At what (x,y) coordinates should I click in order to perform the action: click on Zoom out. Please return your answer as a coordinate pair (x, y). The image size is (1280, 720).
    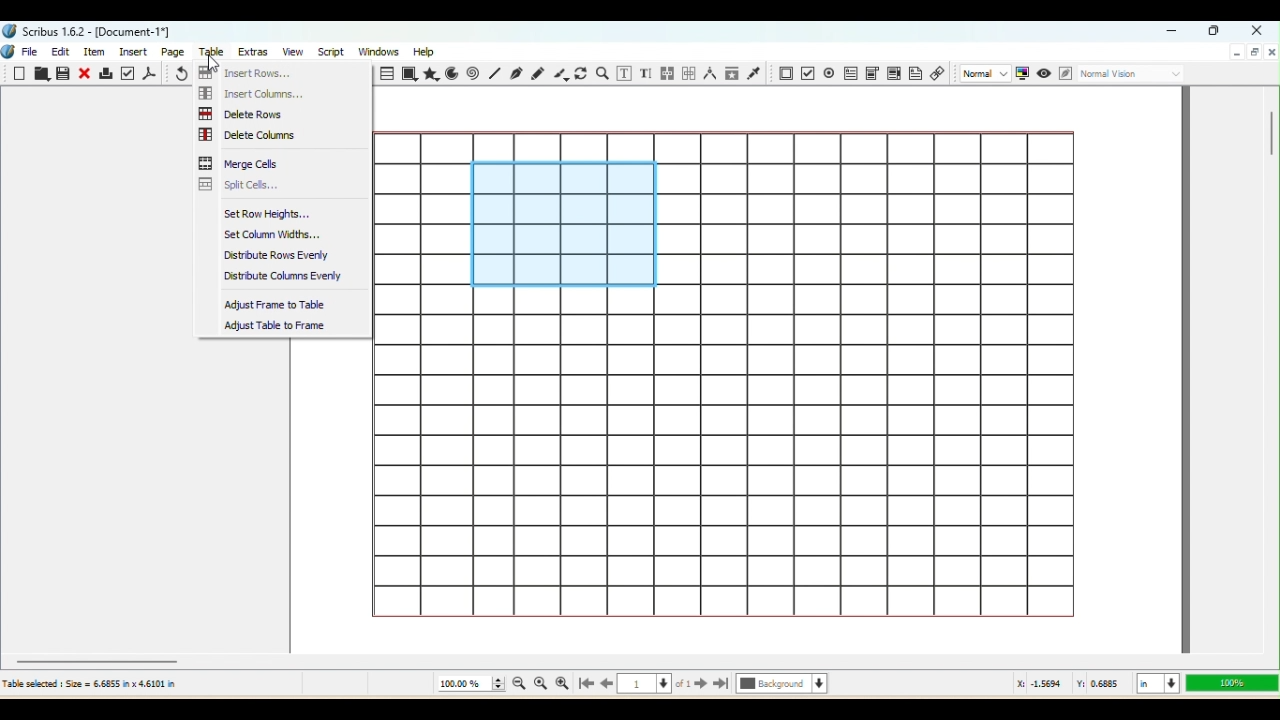
    Looking at the image, I should click on (516, 686).